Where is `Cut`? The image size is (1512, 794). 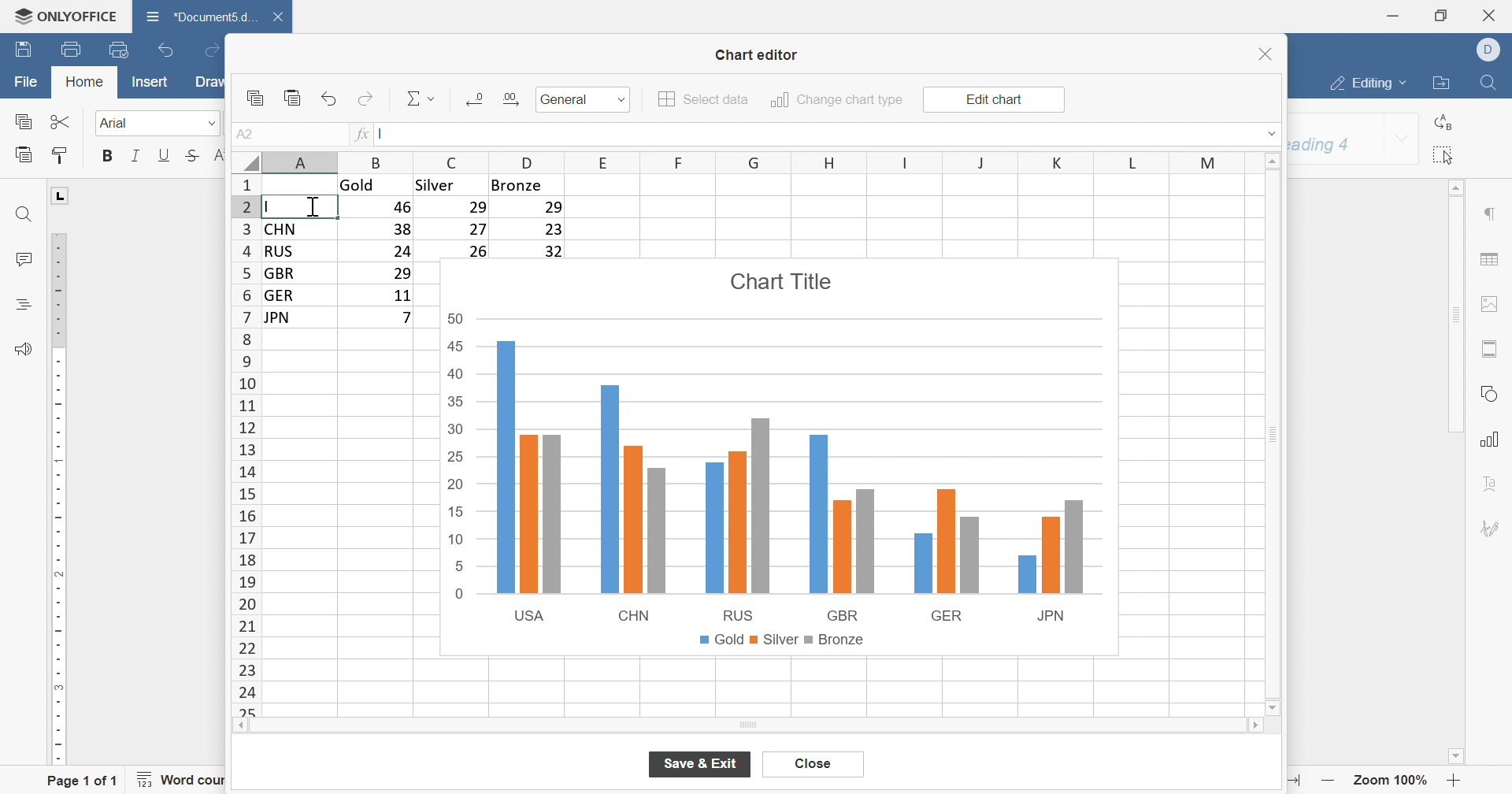
Cut is located at coordinates (61, 121).